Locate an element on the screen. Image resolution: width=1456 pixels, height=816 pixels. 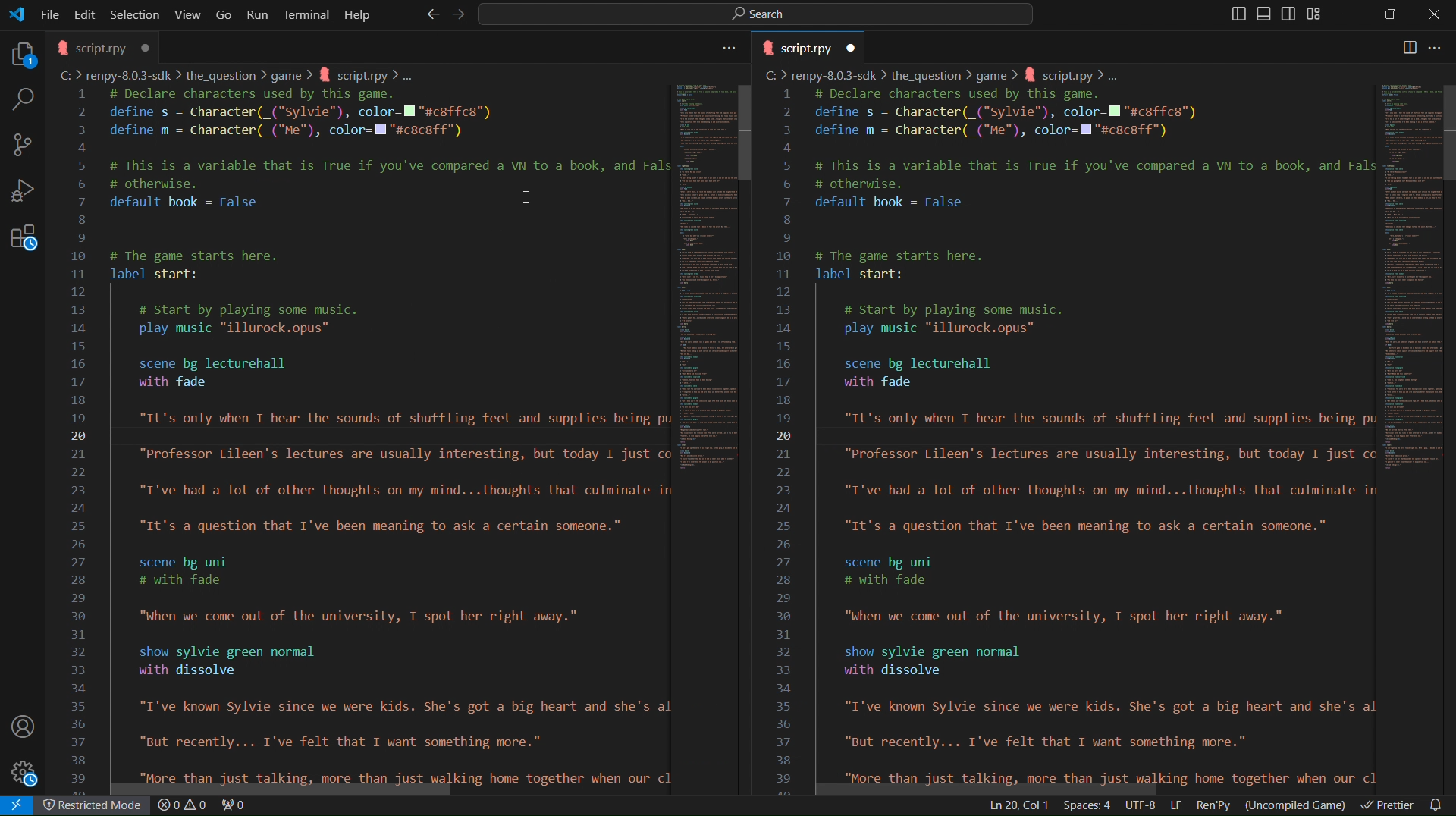
Ln 20, col 1 is located at coordinates (1016, 805).